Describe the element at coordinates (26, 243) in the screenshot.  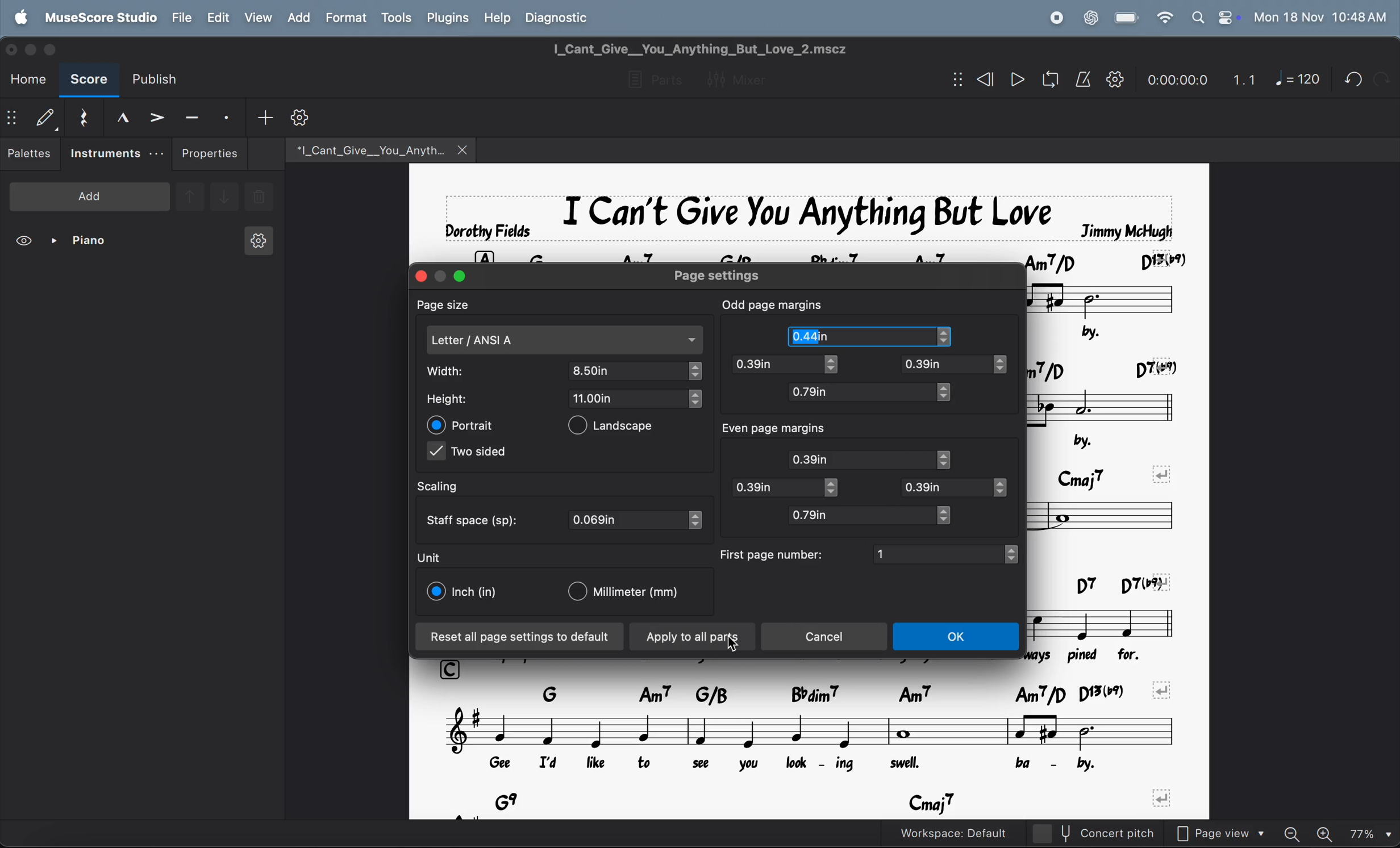
I see `view` at that location.